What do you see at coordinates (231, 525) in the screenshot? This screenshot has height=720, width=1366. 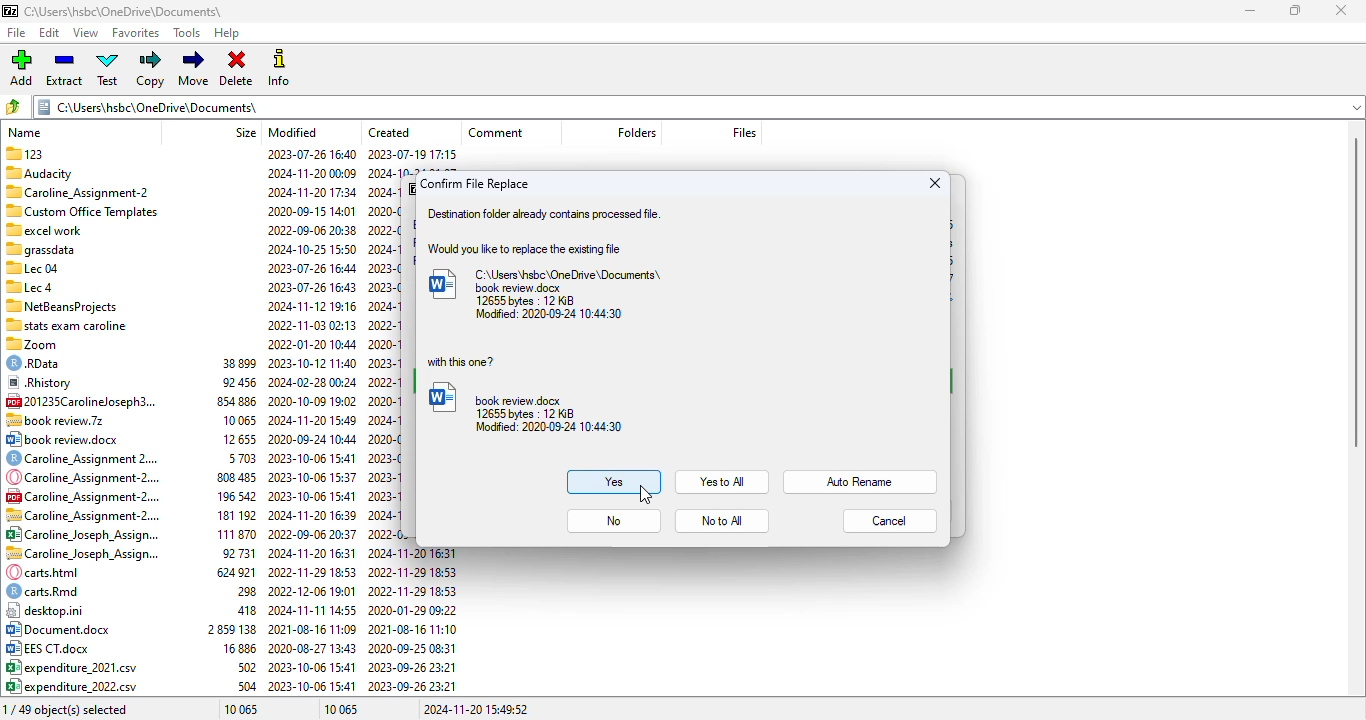 I see `size` at bounding box center [231, 525].